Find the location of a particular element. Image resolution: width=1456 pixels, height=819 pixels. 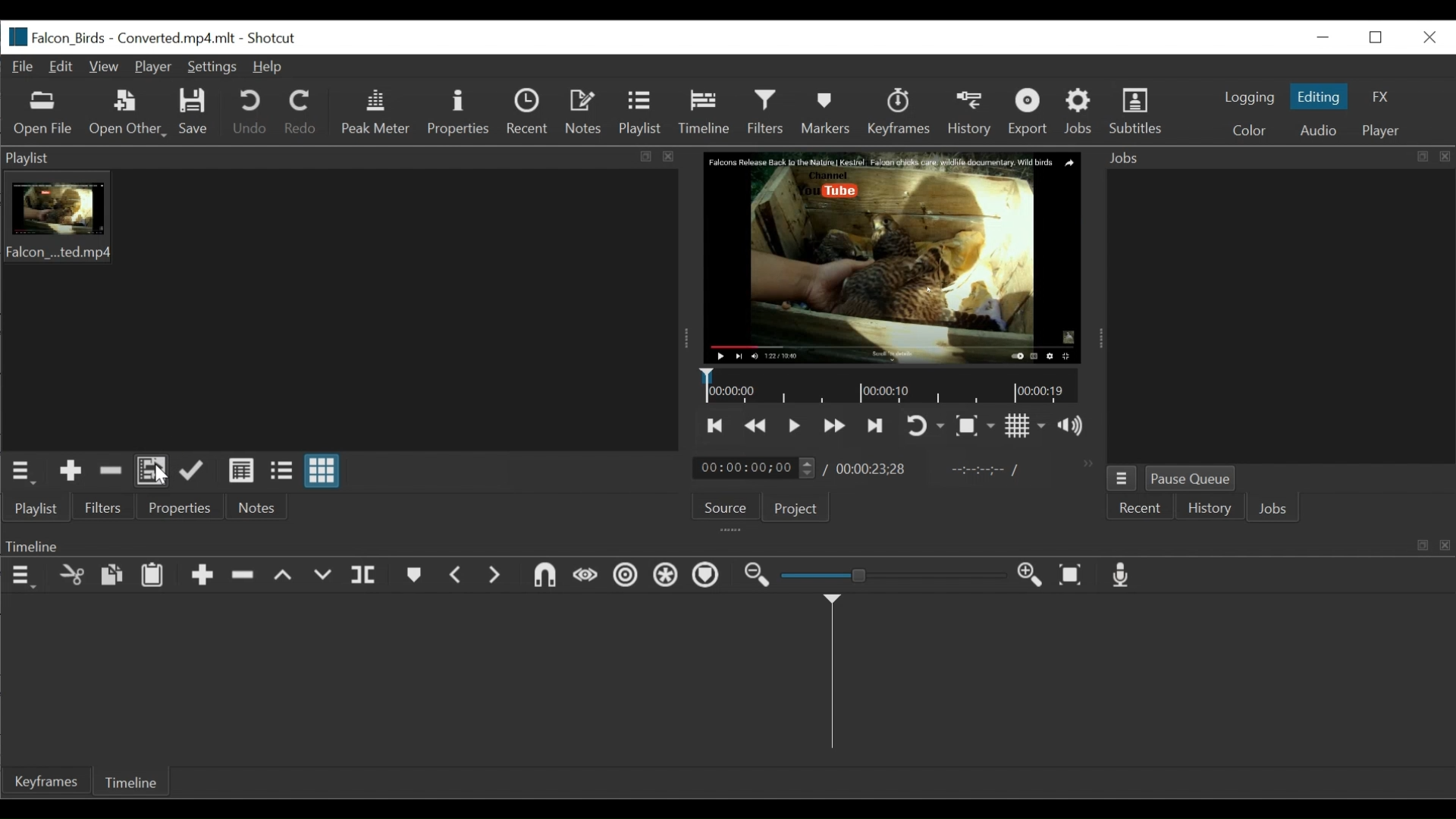

Properties is located at coordinates (184, 506).